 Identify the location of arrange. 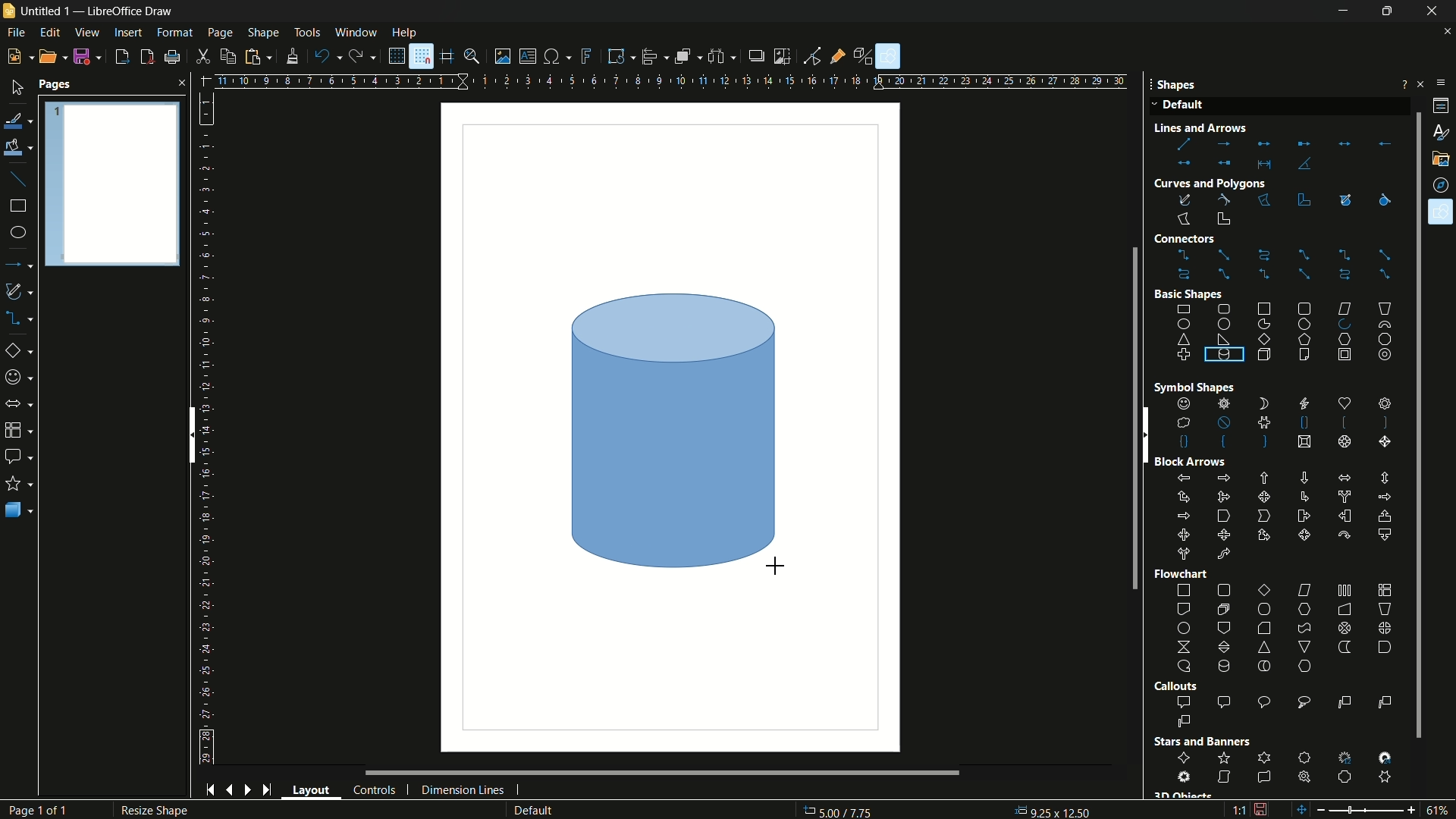
(688, 58).